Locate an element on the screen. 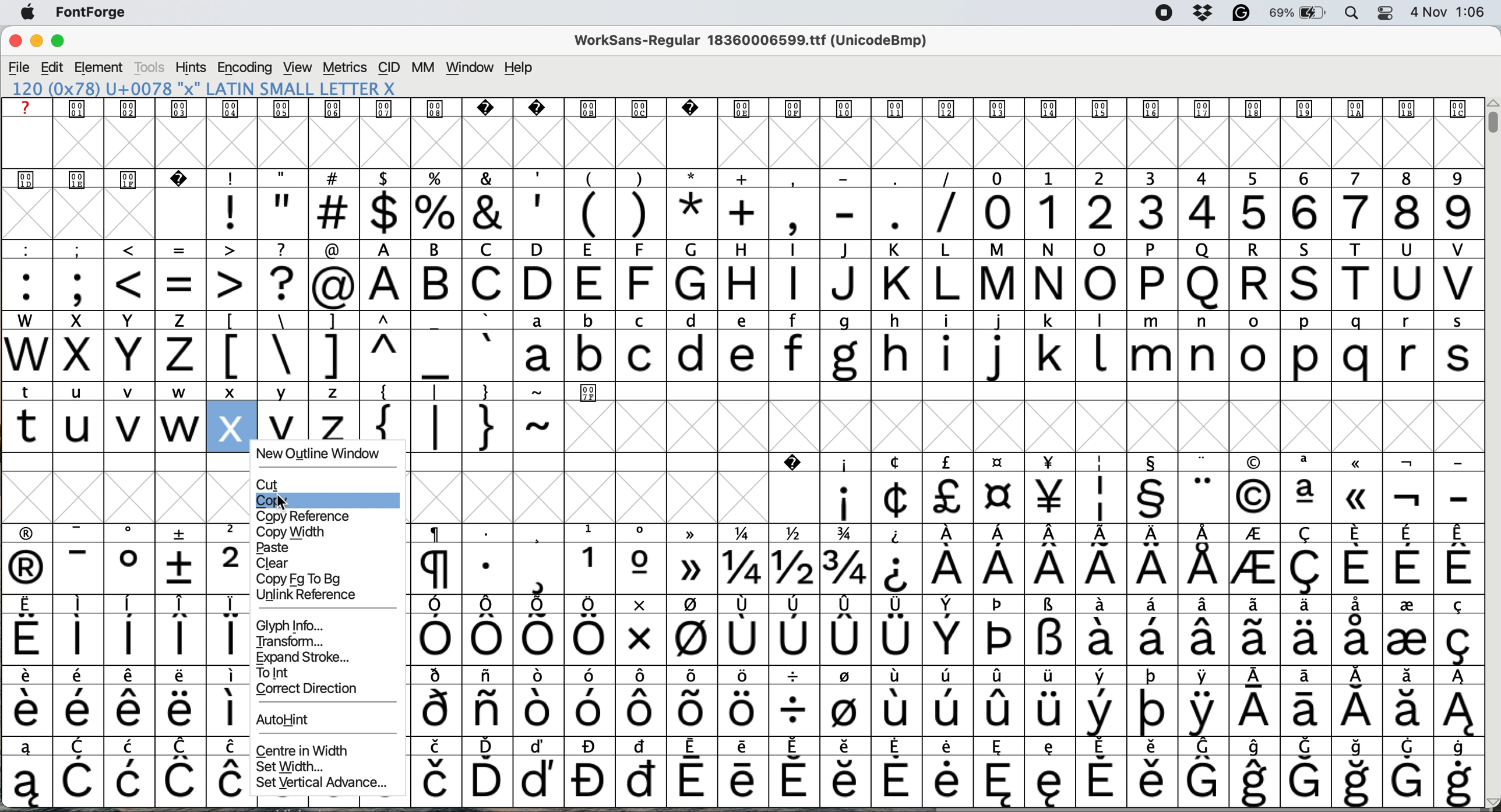  set vertical advance is located at coordinates (322, 785).